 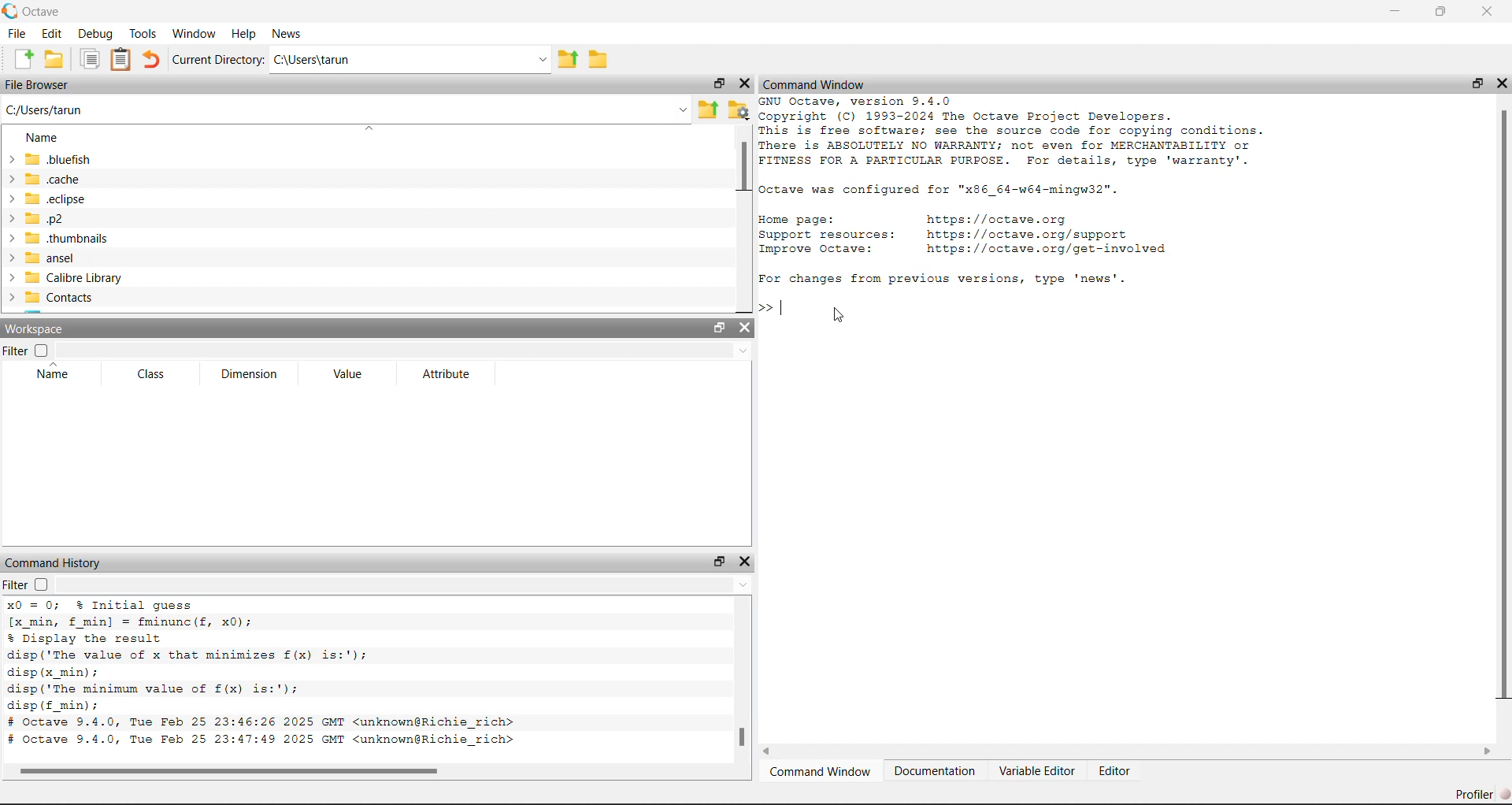 I want to click on Right, so click(x=1488, y=749).